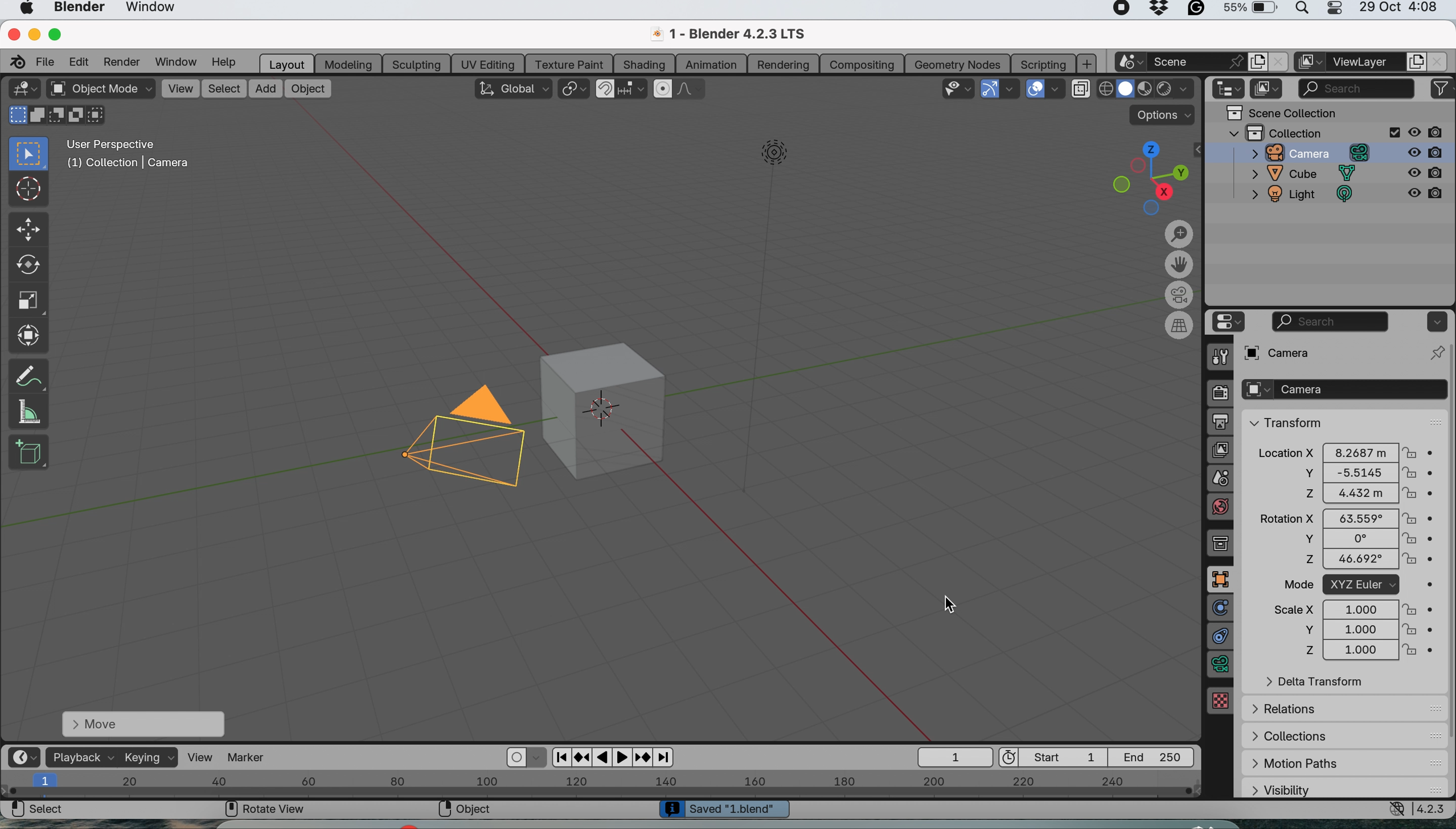  Describe the element at coordinates (664, 89) in the screenshot. I see `proportional editing objects` at that location.